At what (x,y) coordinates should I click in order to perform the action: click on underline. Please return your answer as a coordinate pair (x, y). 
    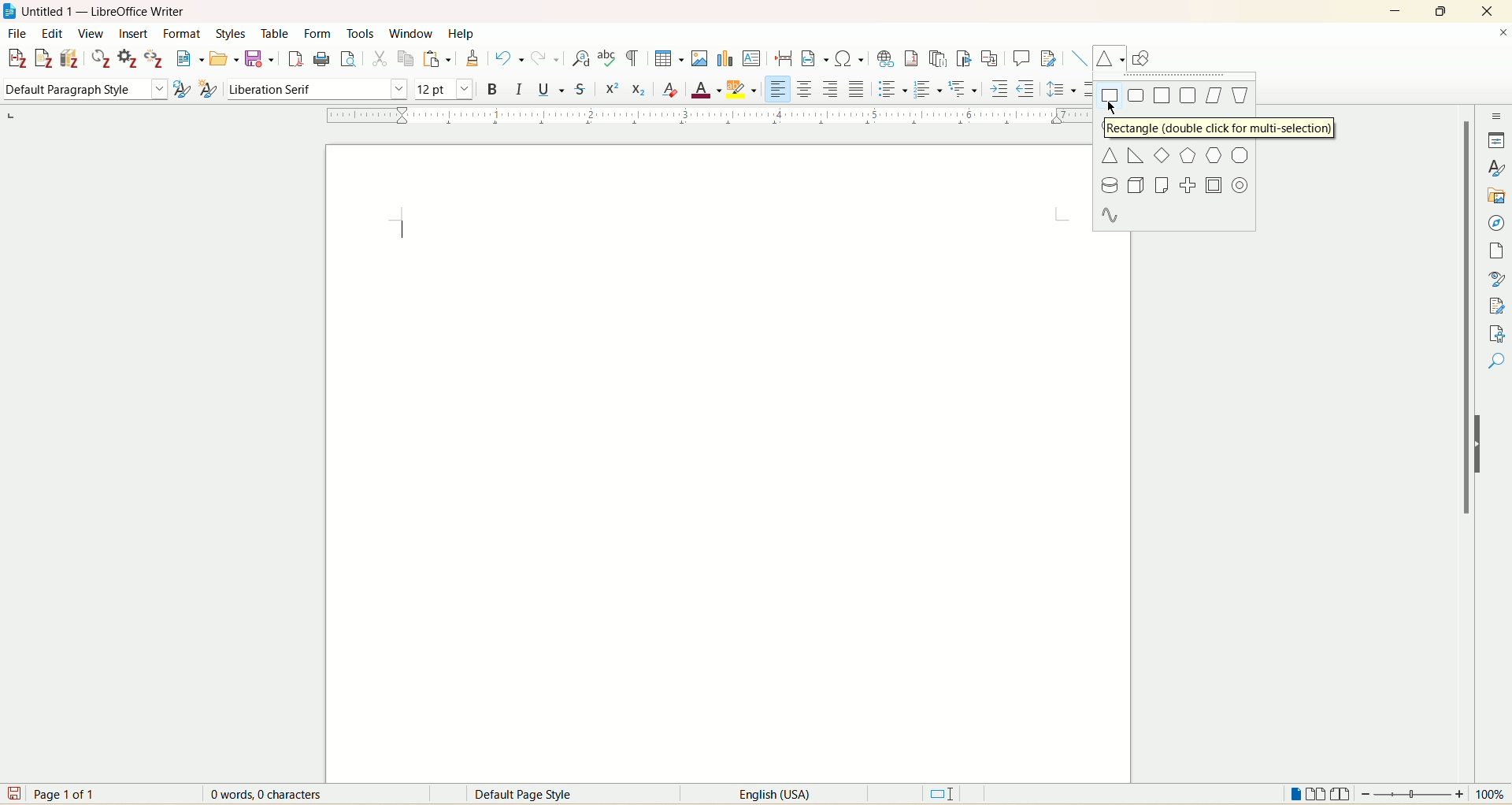
    Looking at the image, I should click on (549, 87).